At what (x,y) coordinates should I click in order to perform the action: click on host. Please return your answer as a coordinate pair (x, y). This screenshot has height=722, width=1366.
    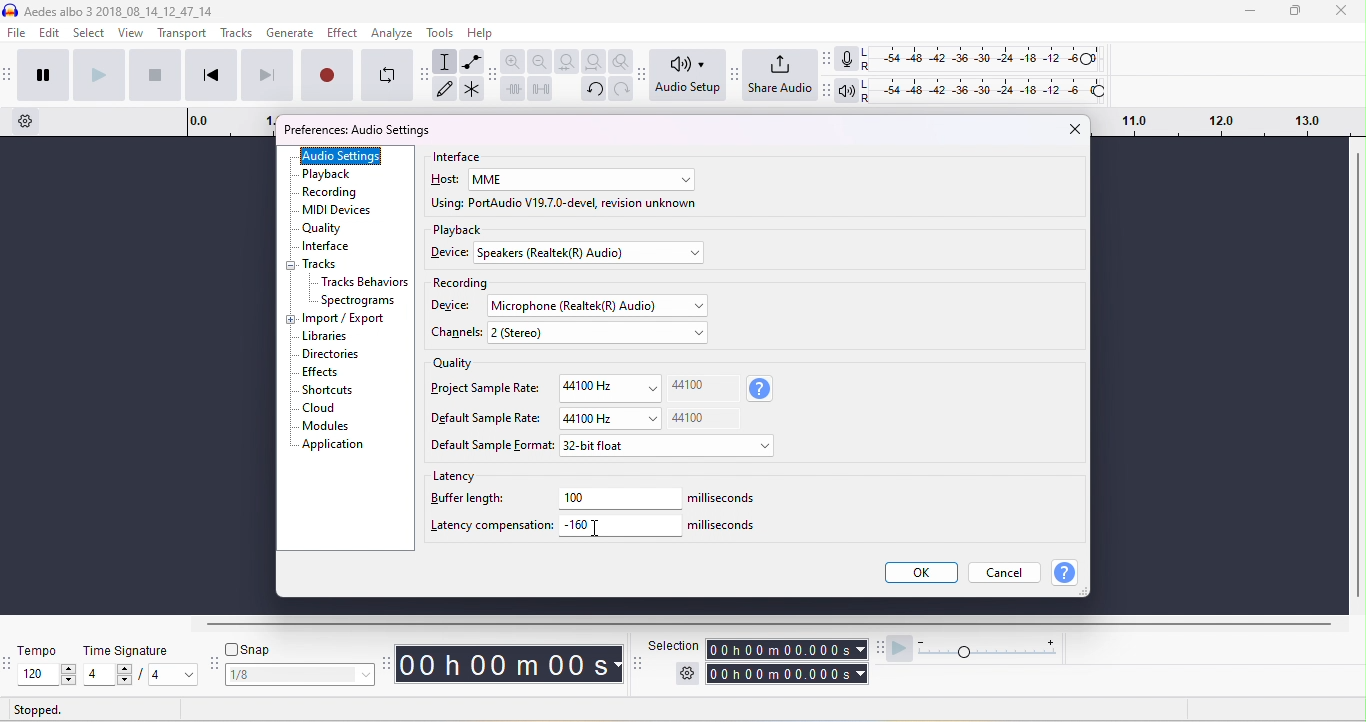
    Looking at the image, I should click on (446, 180).